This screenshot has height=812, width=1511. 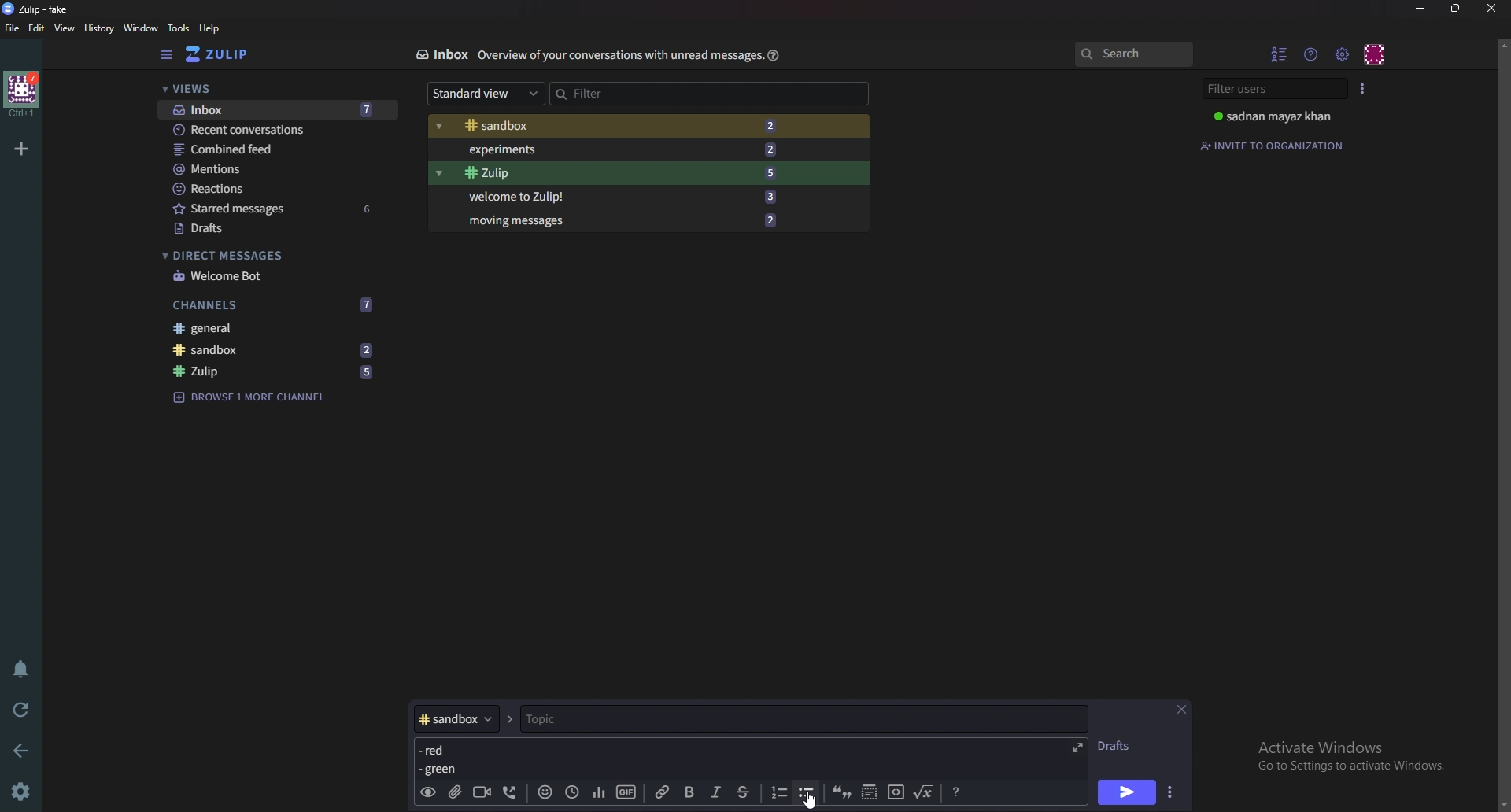 I want to click on Recent conversations, so click(x=279, y=129).